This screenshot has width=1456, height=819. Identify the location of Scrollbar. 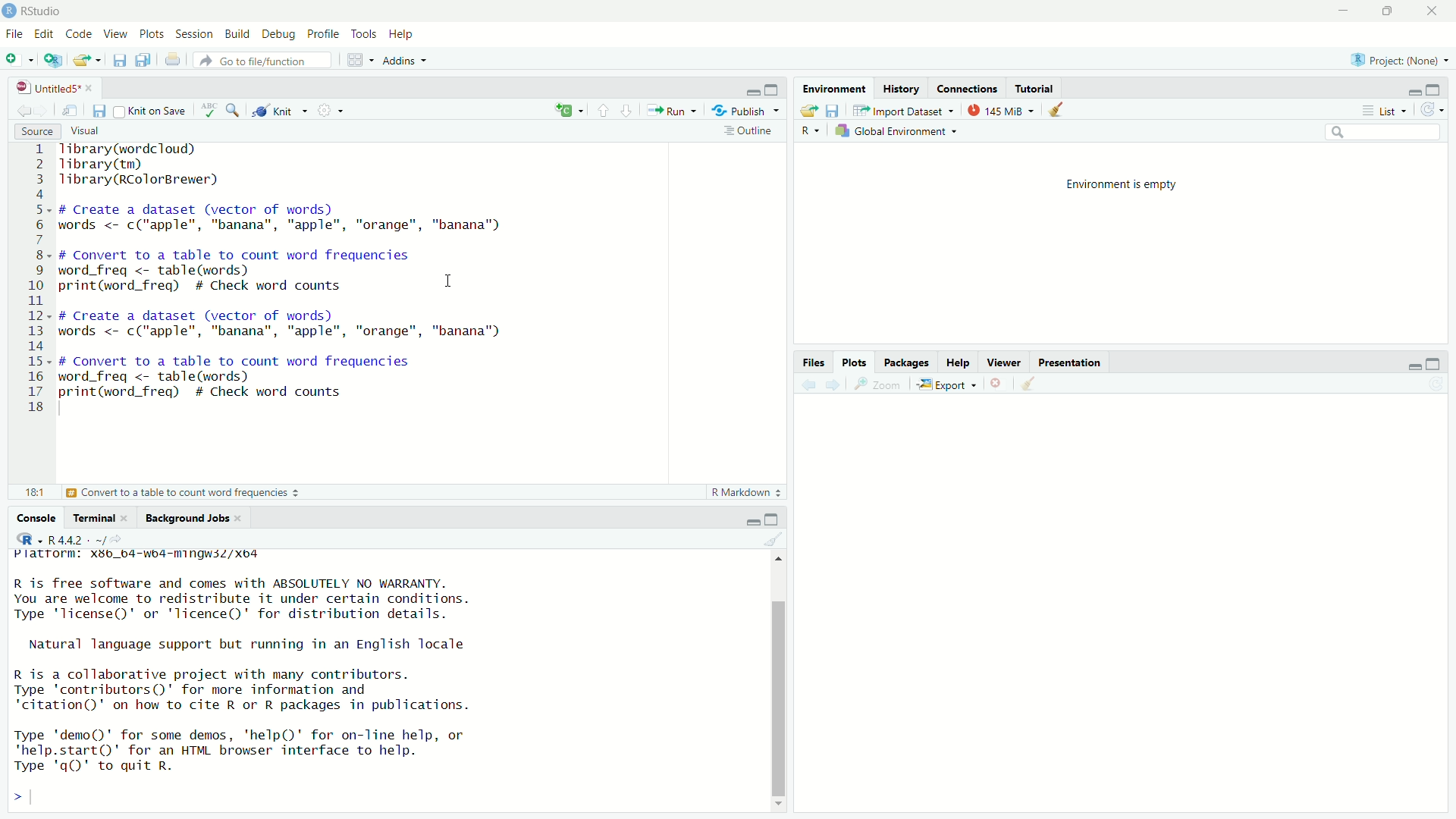
(780, 682).